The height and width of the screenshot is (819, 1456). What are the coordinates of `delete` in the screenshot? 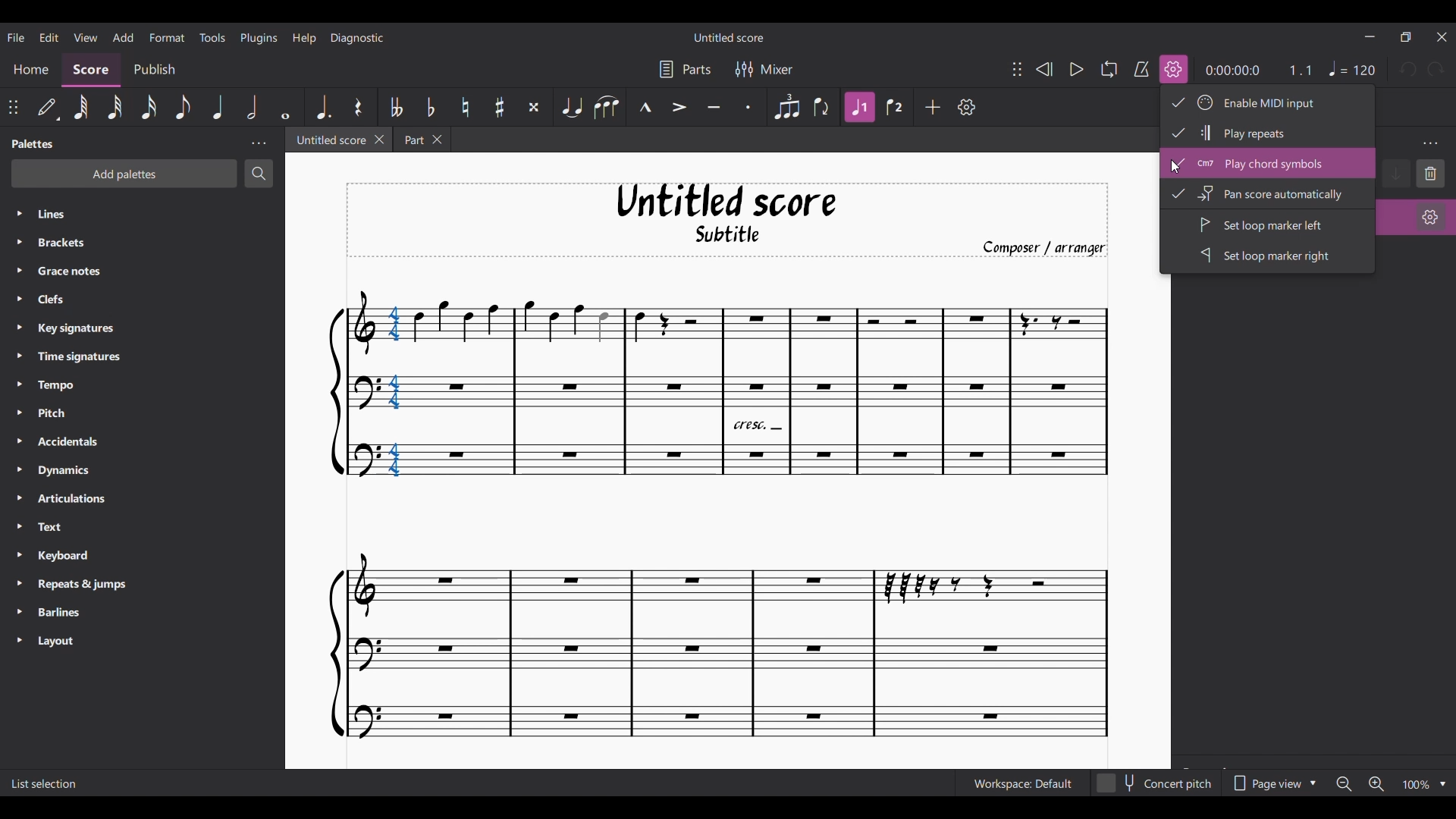 It's located at (1435, 171).